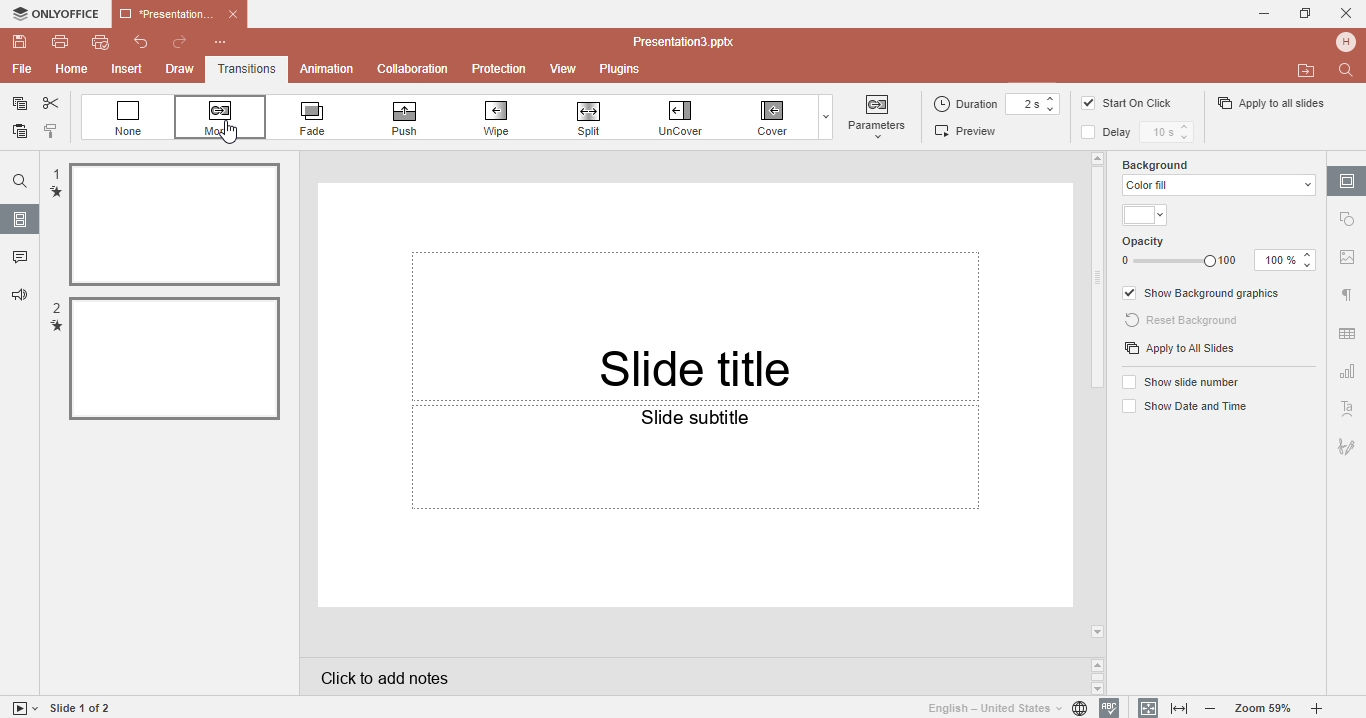 Image resolution: width=1366 pixels, height=718 pixels. Describe the element at coordinates (71, 69) in the screenshot. I see `Home` at that location.